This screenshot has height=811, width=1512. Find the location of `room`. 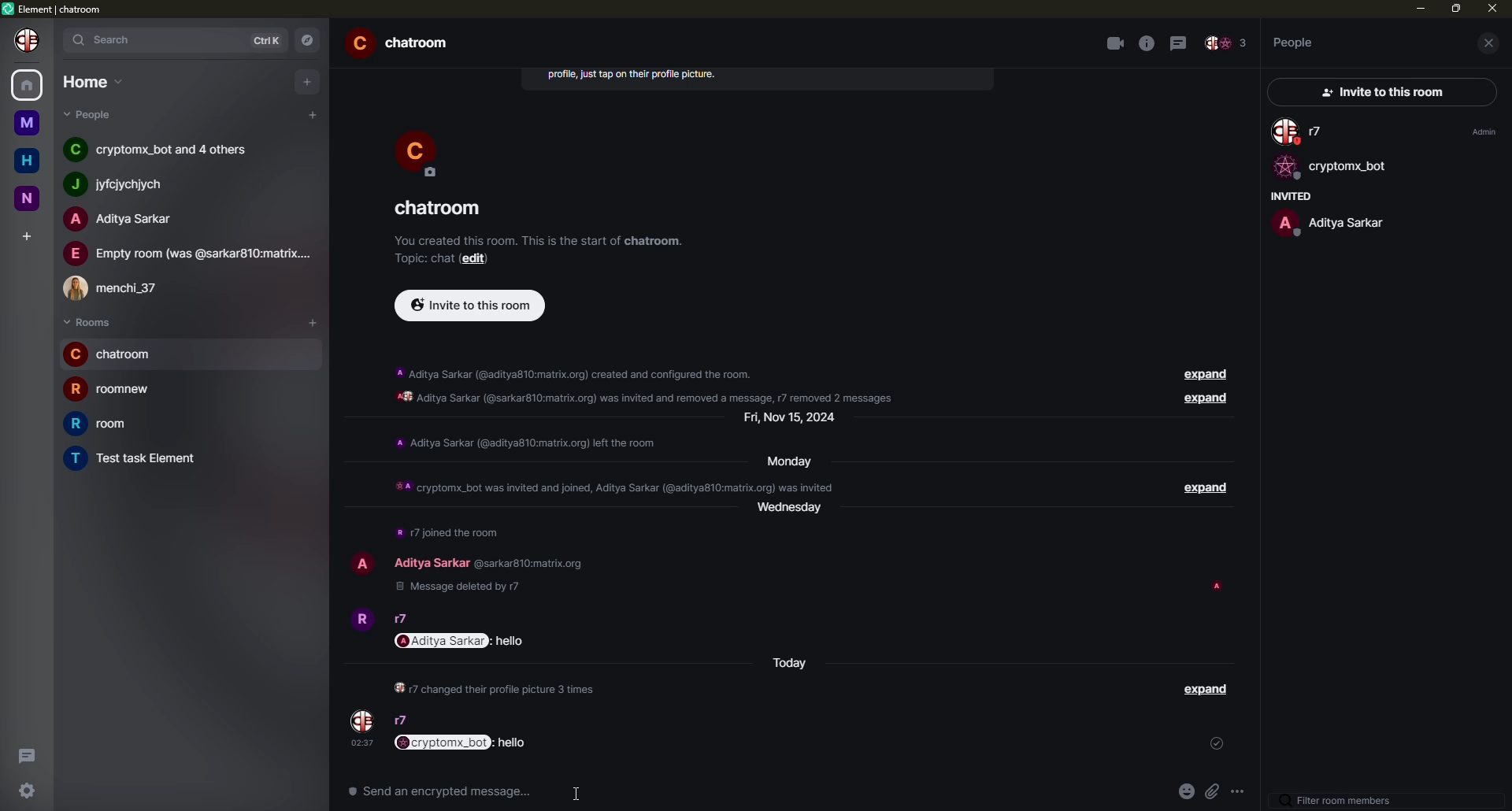

room is located at coordinates (115, 354).